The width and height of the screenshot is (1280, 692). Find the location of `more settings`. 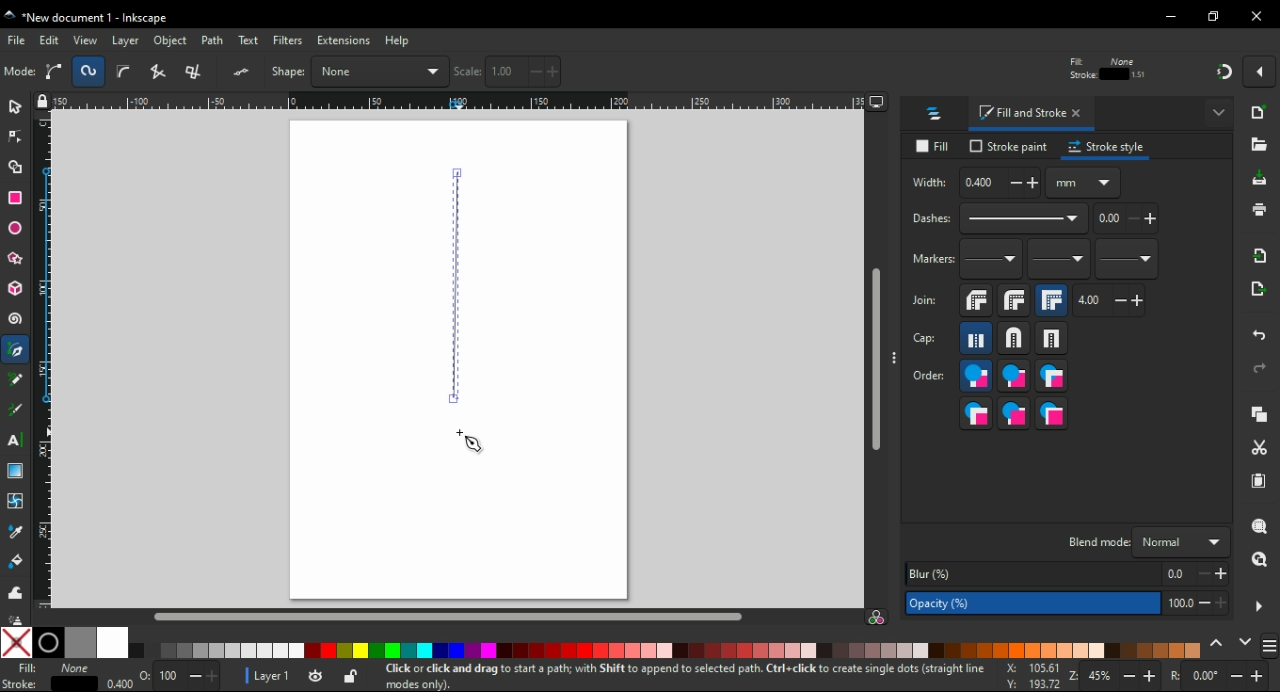

more settings is located at coordinates (1259, 607).